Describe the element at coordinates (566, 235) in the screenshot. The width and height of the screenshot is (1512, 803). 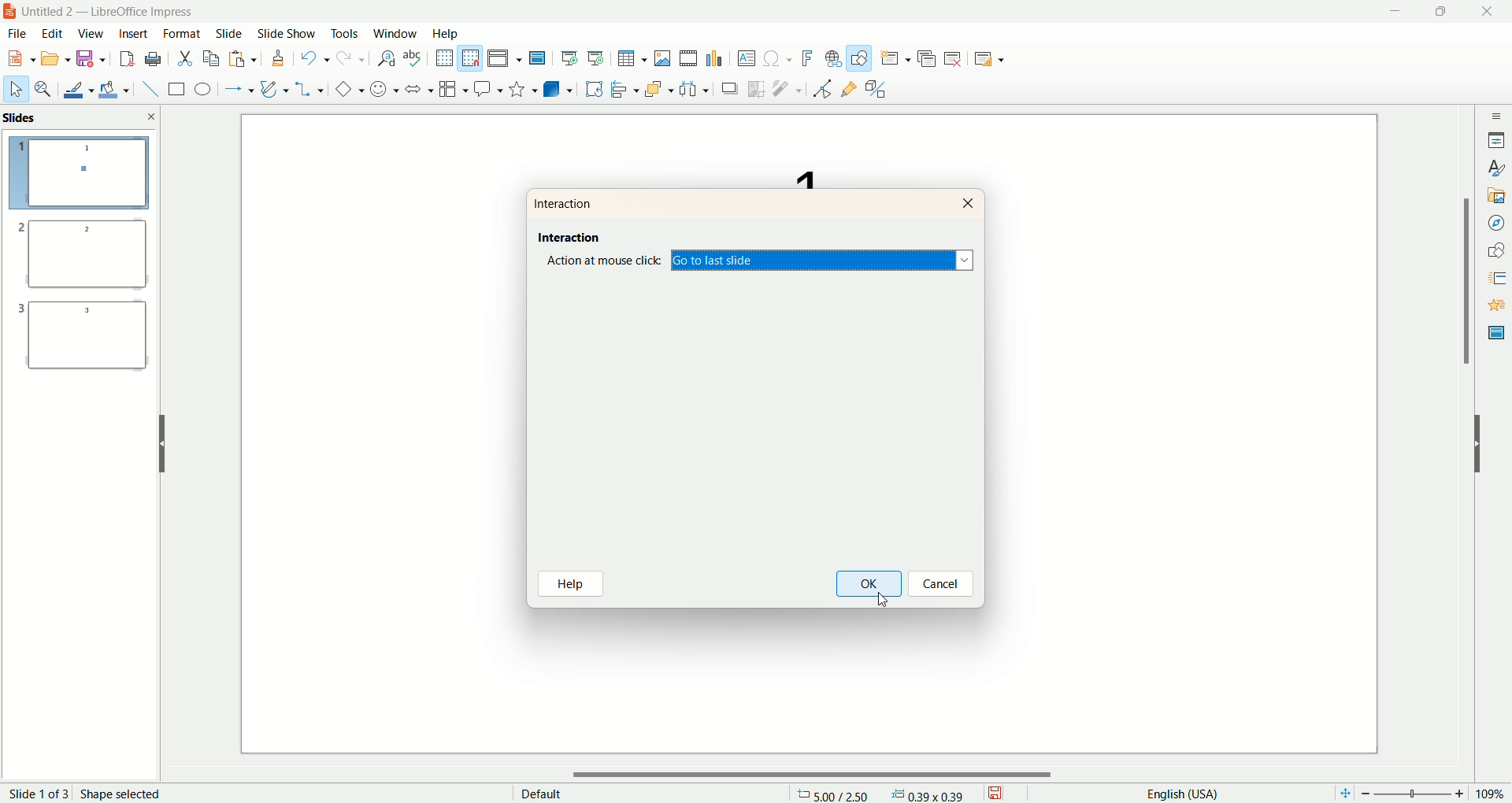
I see `interaction` at that location.